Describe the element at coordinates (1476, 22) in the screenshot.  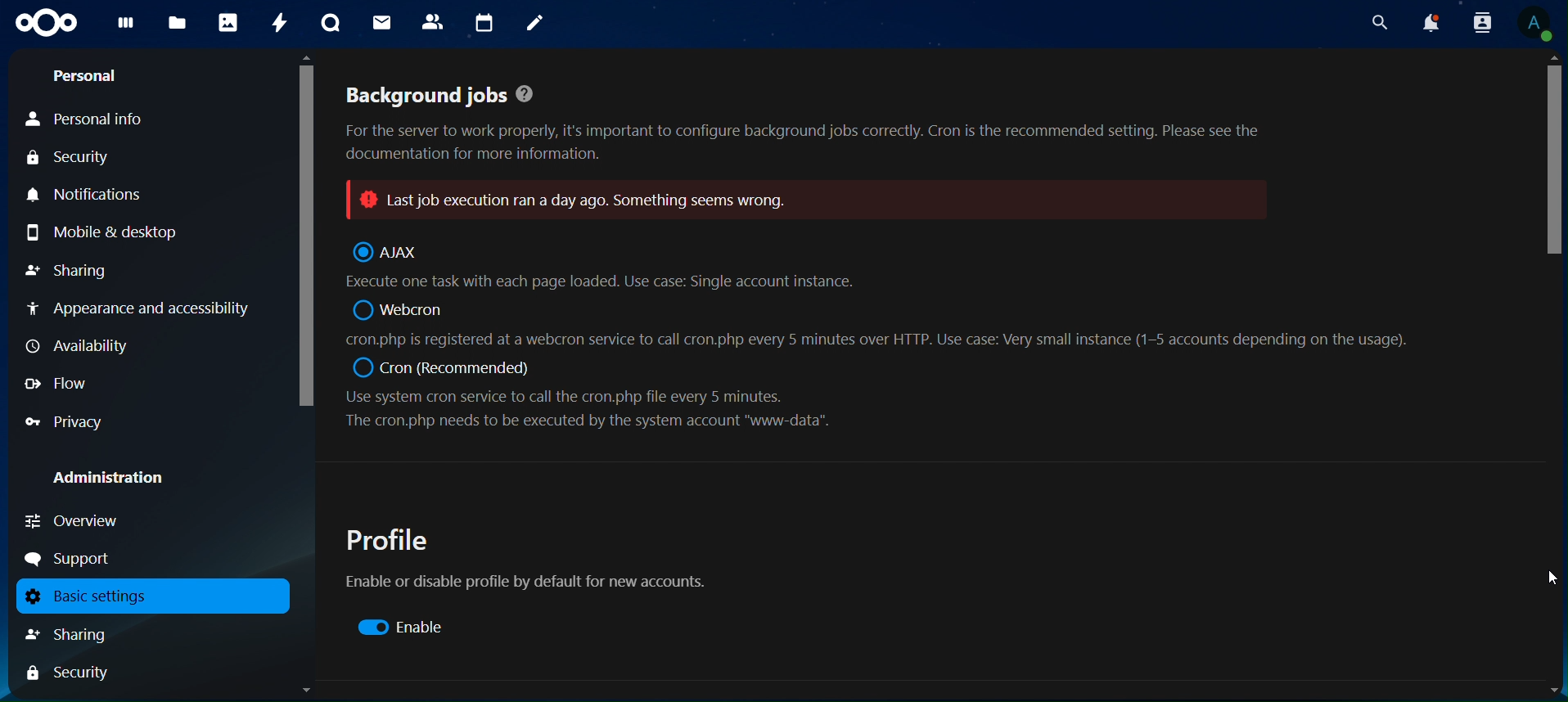
I see `search contacts` at that location.